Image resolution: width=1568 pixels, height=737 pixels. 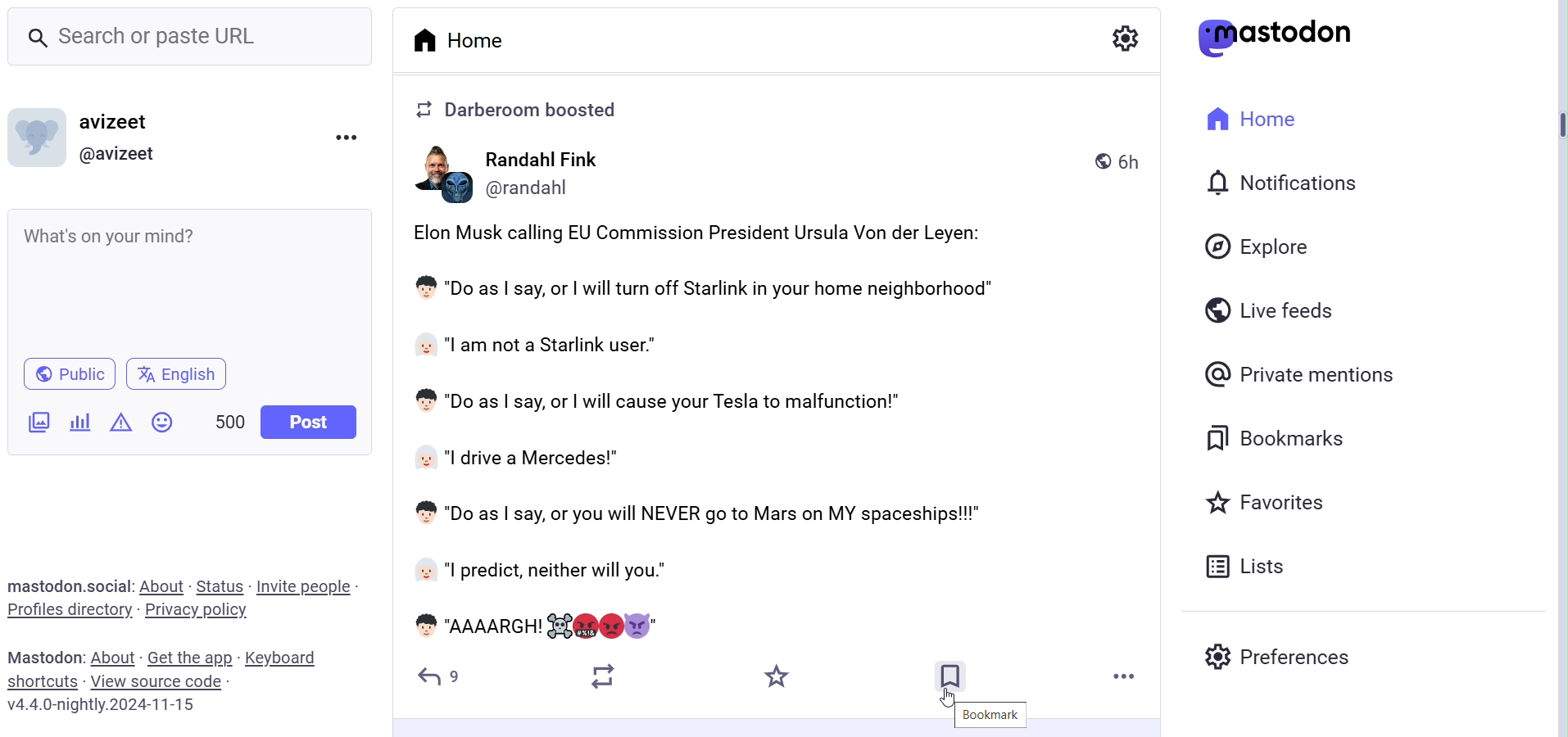 What do you see at coordinates (1119, 39) in the screenshot?
I see `Setting` at bounding box center [1119, 39].